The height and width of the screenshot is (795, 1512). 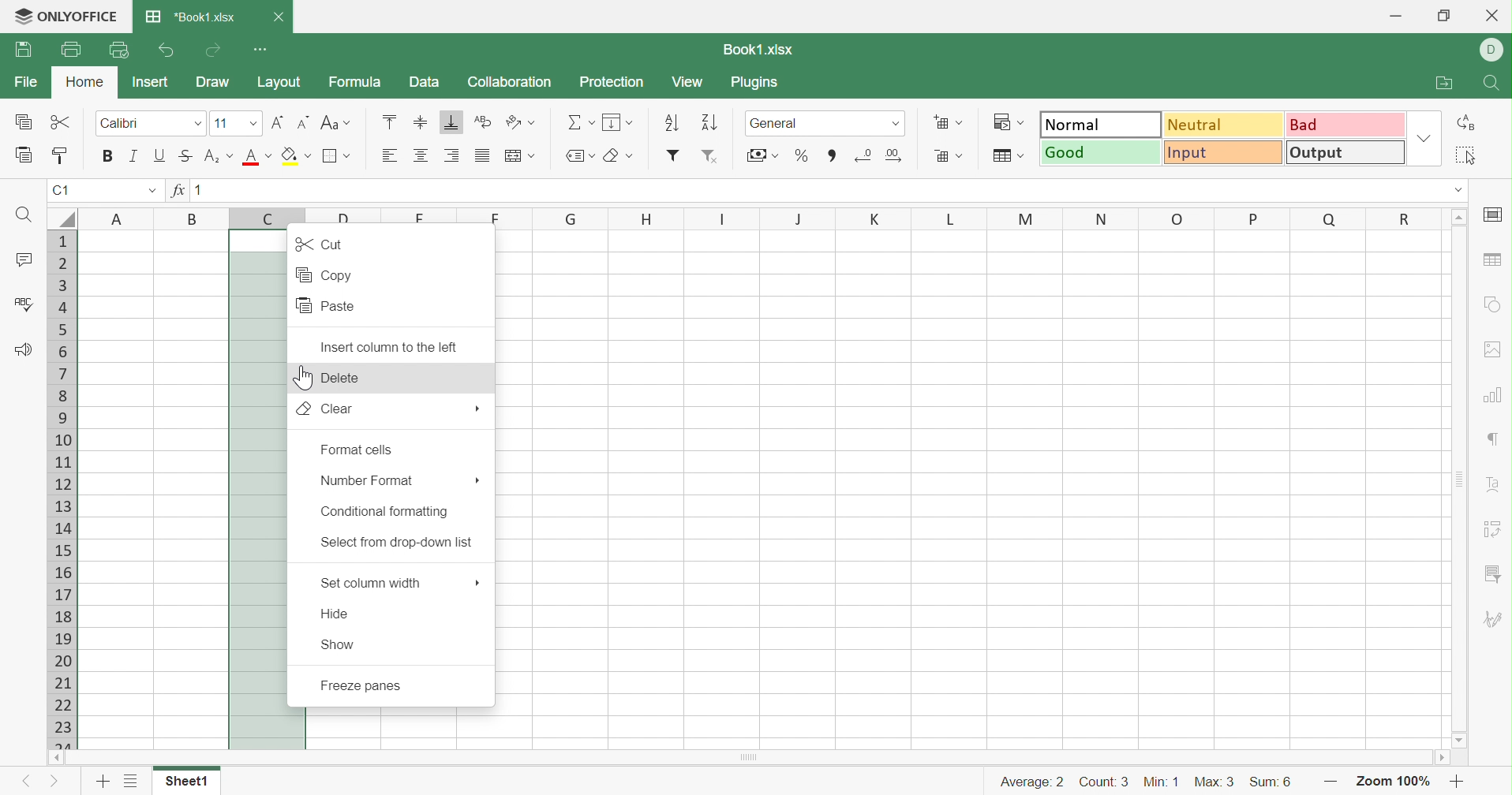 What do you see at coordinates (479, 583) in the screenshot?
I see `More` at bounding box center [479, 583].